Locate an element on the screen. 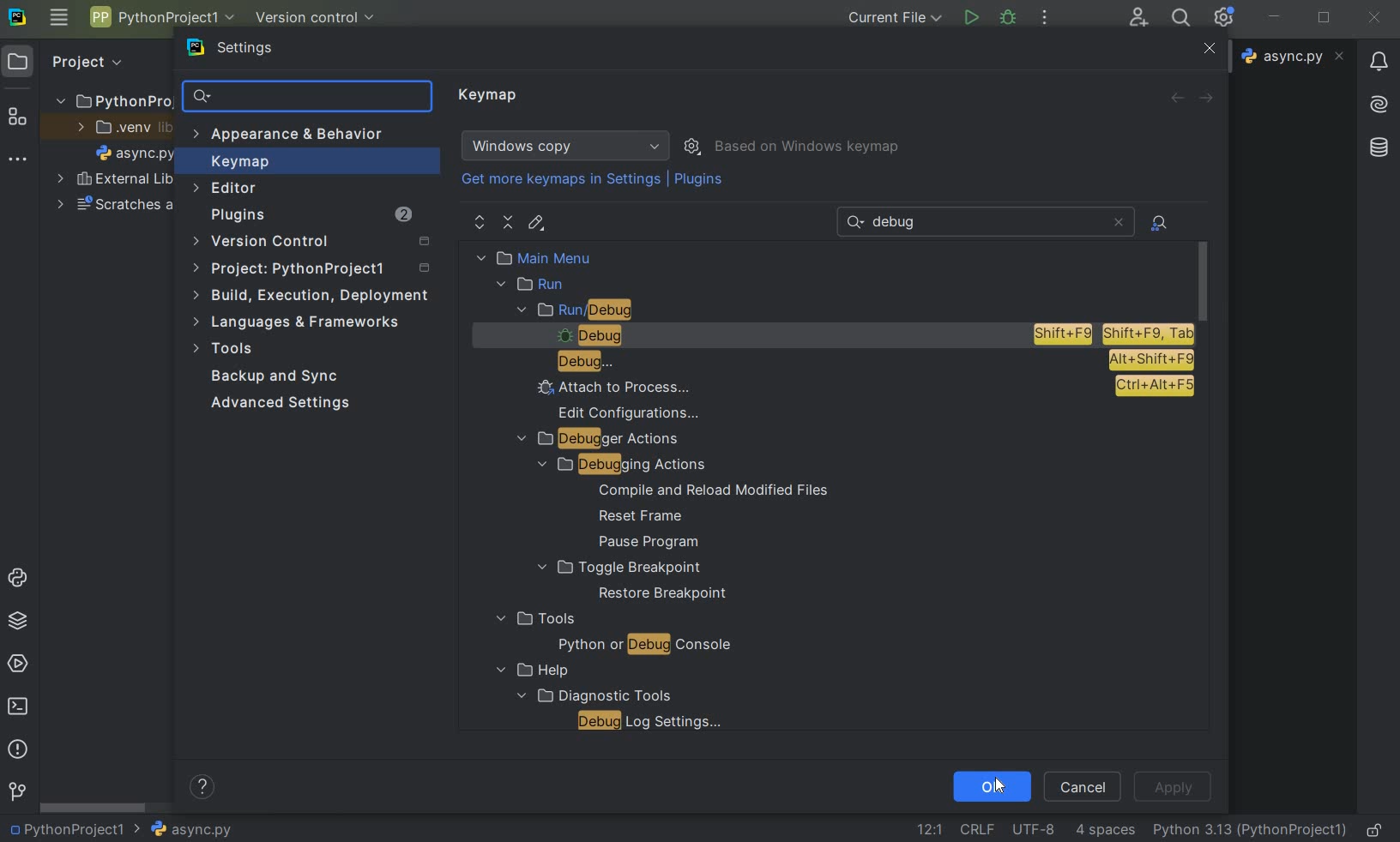 The width and height of the screenshot is (1400, 842). Languages and Frameworks is located at coordinates (302, 322).